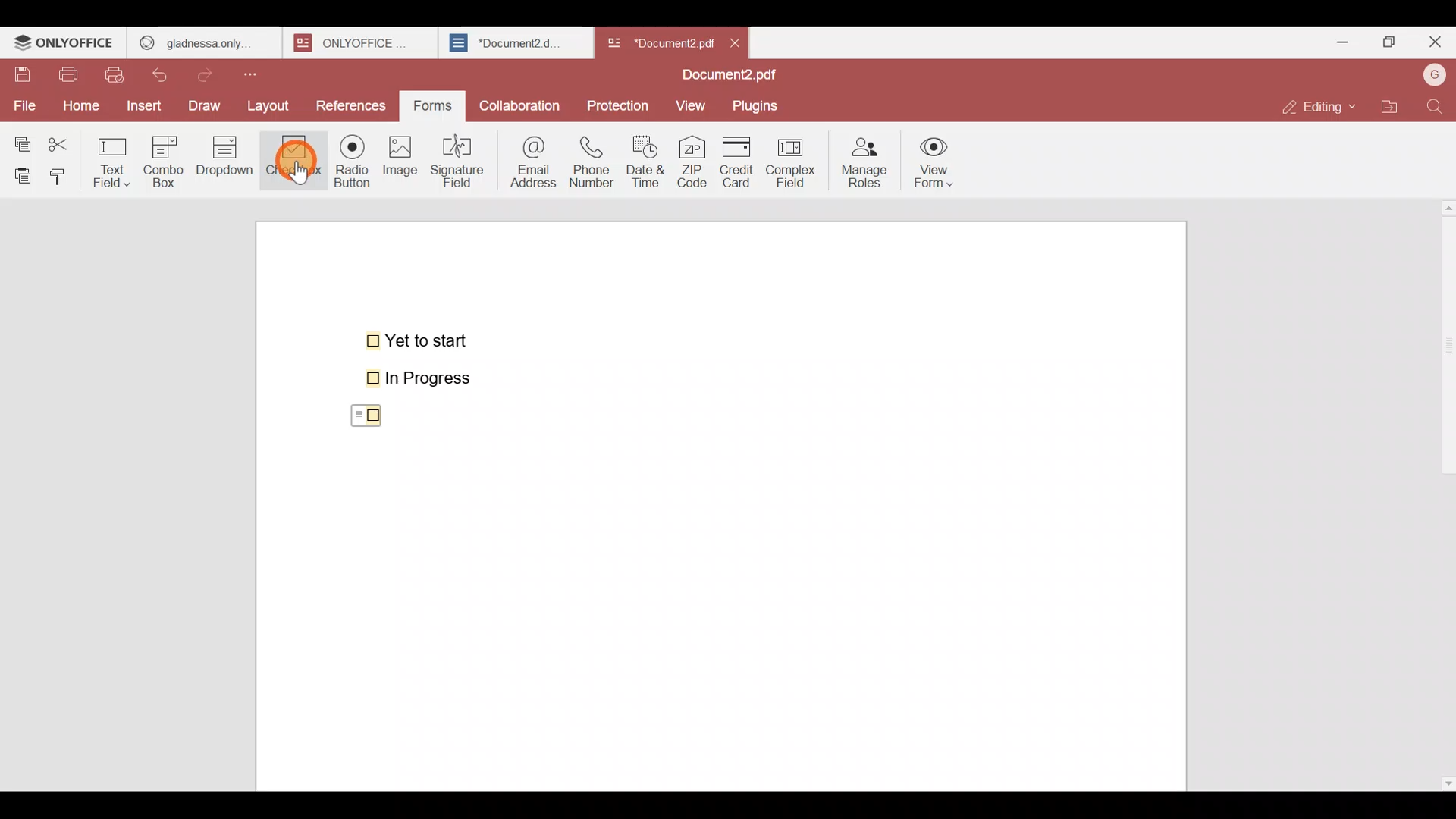 The height and width of the screenshot is (819, 1456). Describe the element at coordinates (22, 75) in the screenshot. I see `Save` at that location.